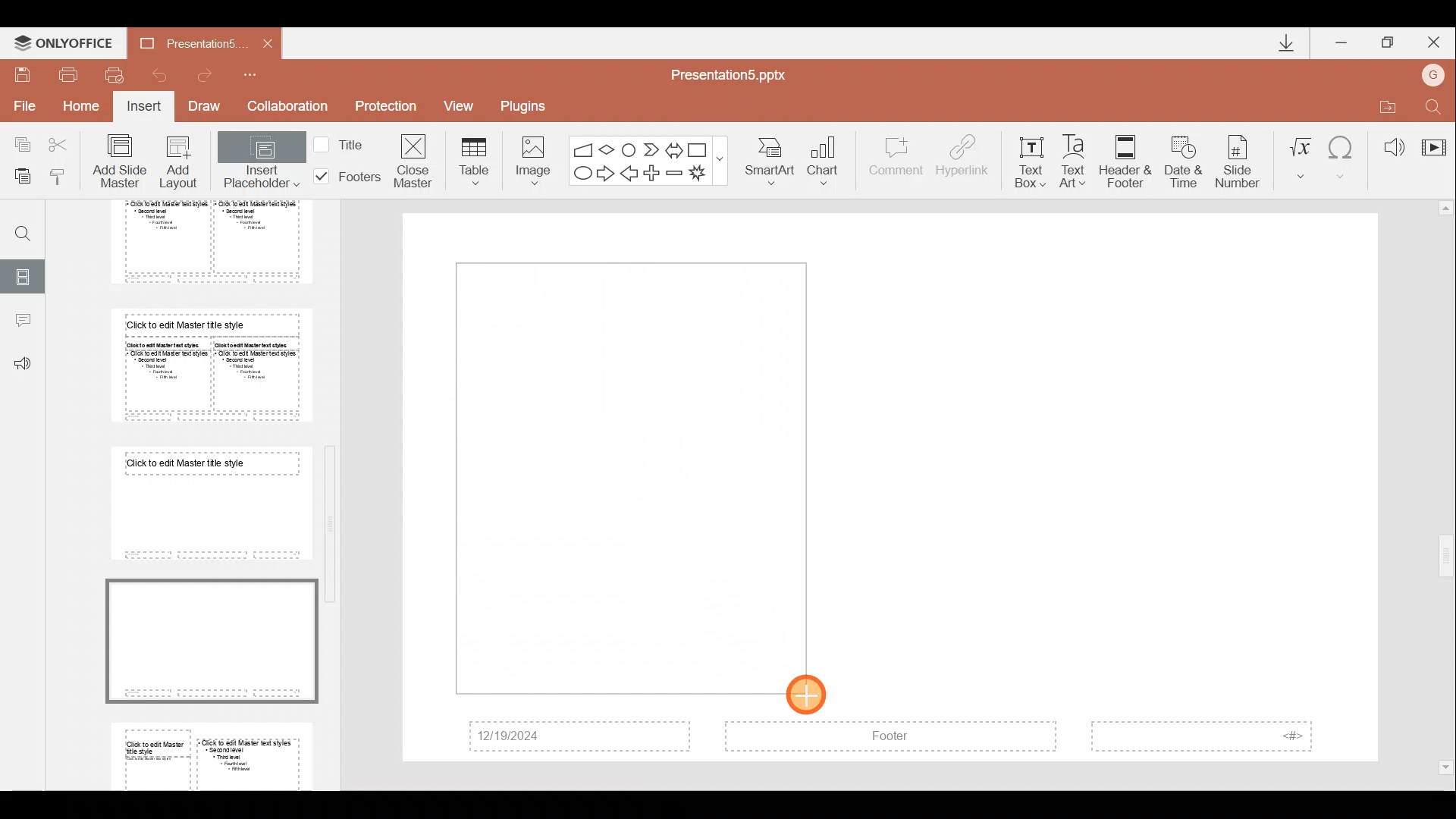 The height and width of the screenshot is (819, 1456). Describe the element at coordinates (215, 753) in the screenshot. I see `Slide 9` at that location.